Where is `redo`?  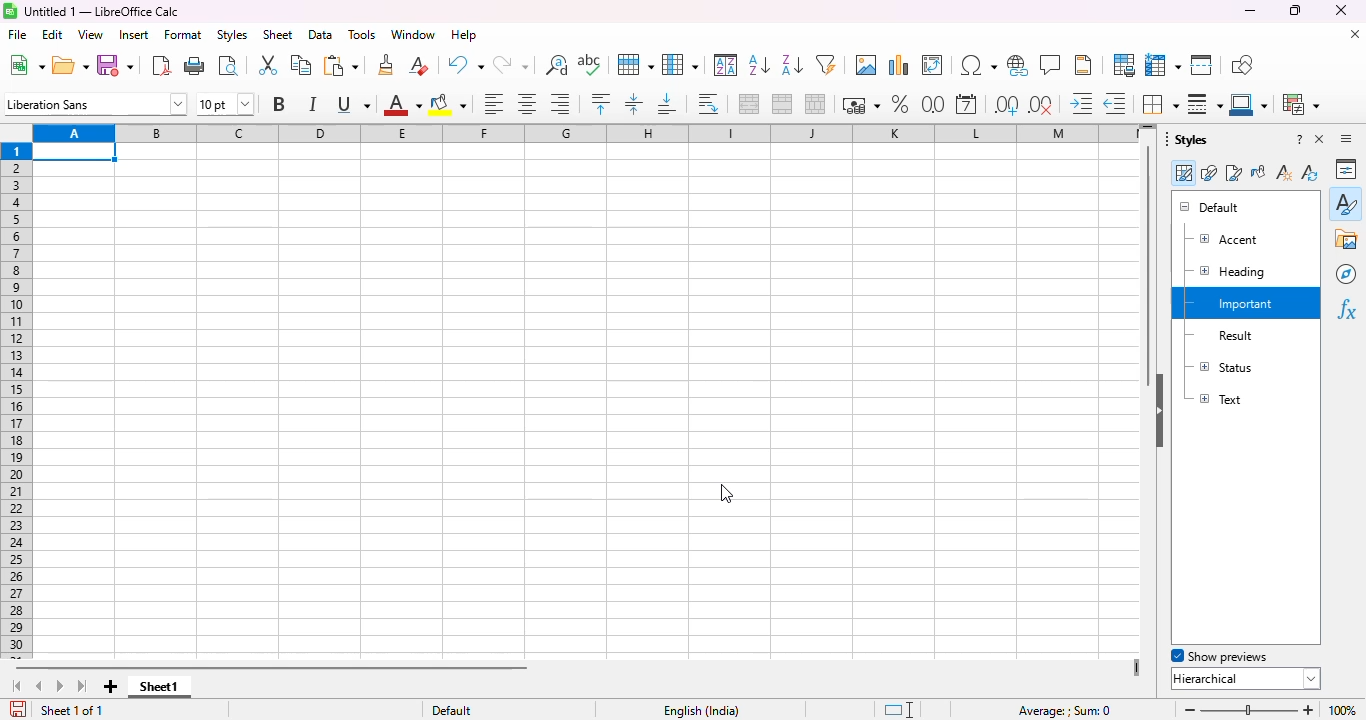 redo is located at coordinates (511, 65).